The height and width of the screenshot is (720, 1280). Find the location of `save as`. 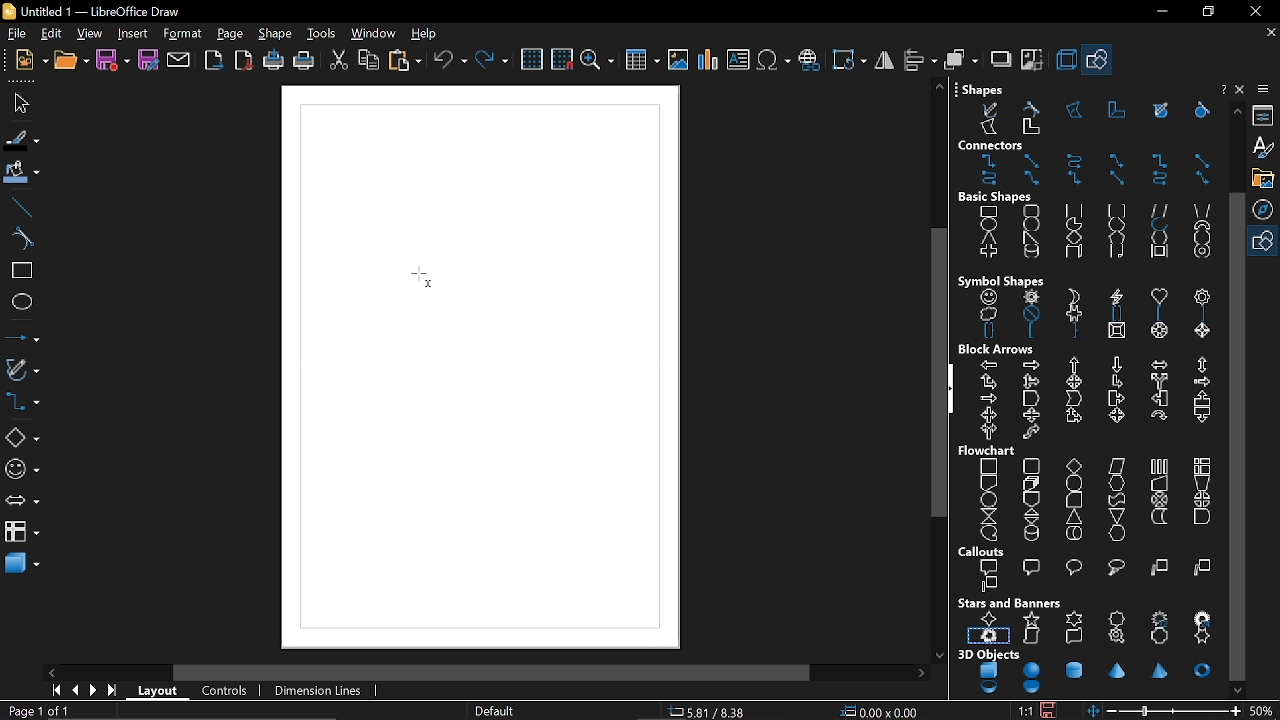

save as is located at coordinates (148, 60).